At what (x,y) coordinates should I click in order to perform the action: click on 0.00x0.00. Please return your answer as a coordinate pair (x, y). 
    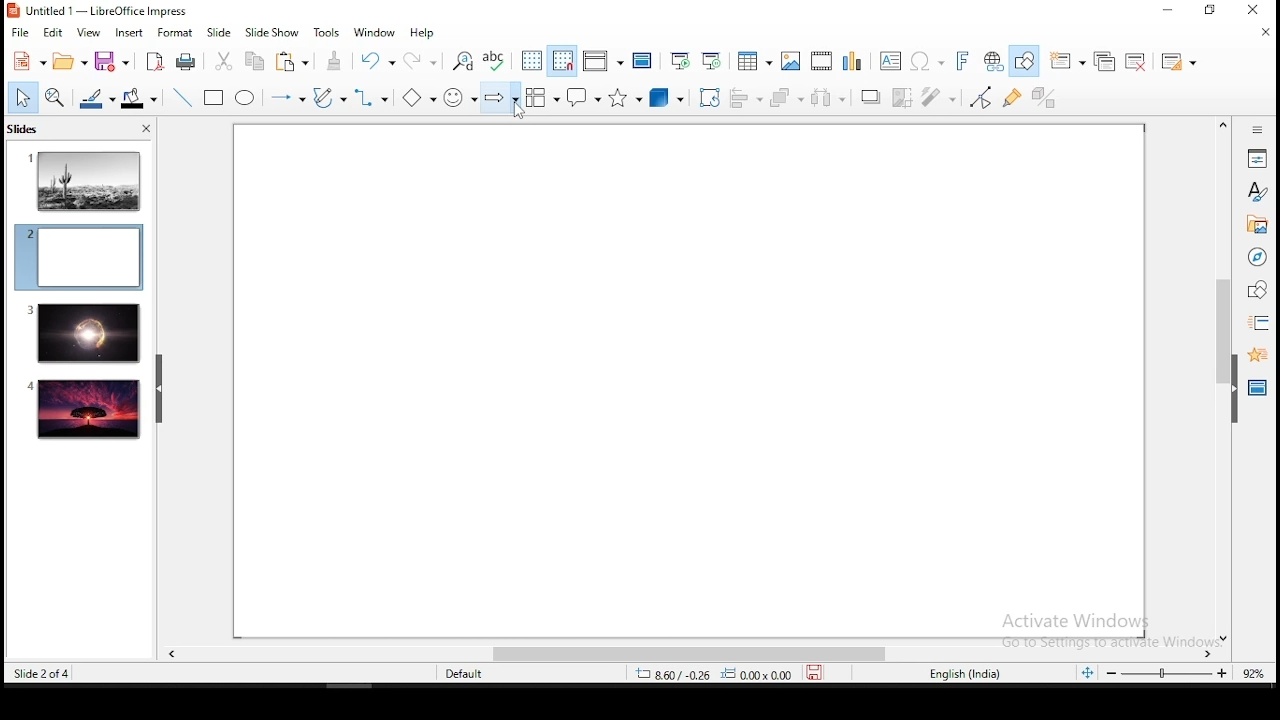
    Looking at the image, I should click on (757, 674).